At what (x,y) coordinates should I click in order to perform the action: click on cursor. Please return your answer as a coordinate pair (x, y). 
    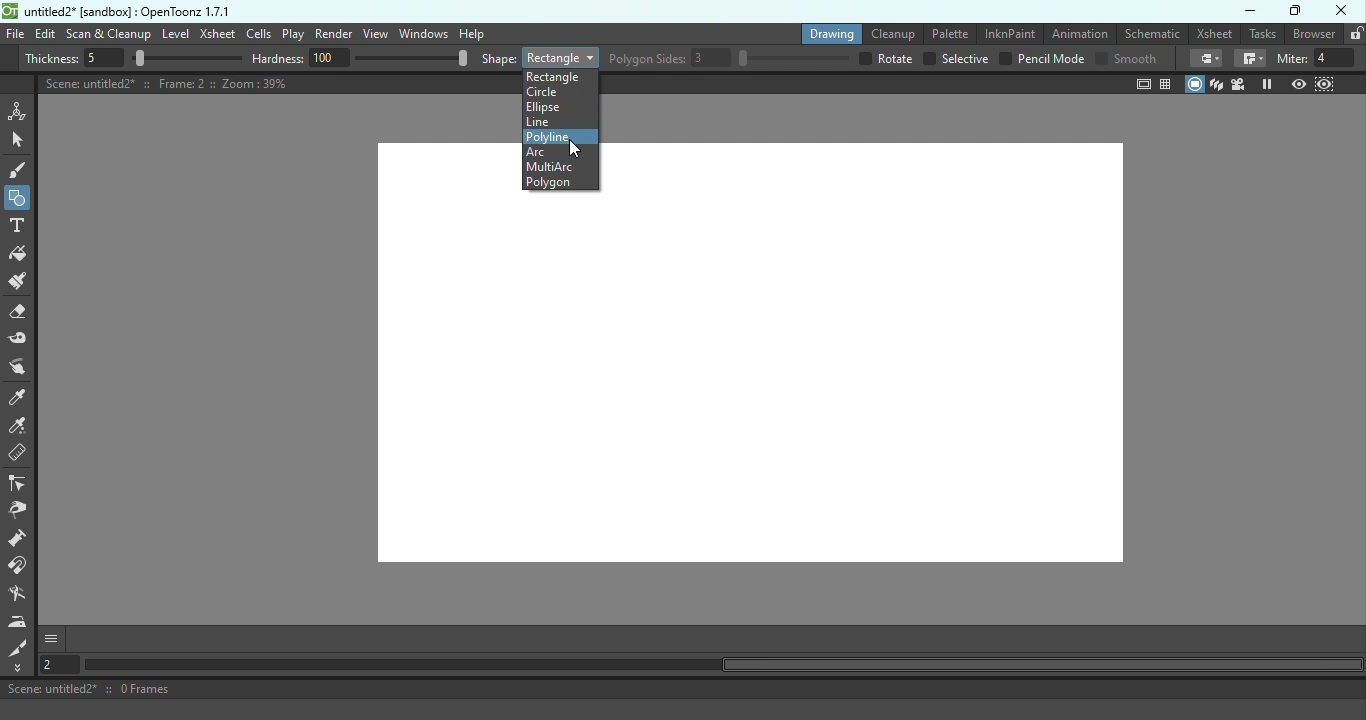
    Looking at the image, I should click on (575, 149).